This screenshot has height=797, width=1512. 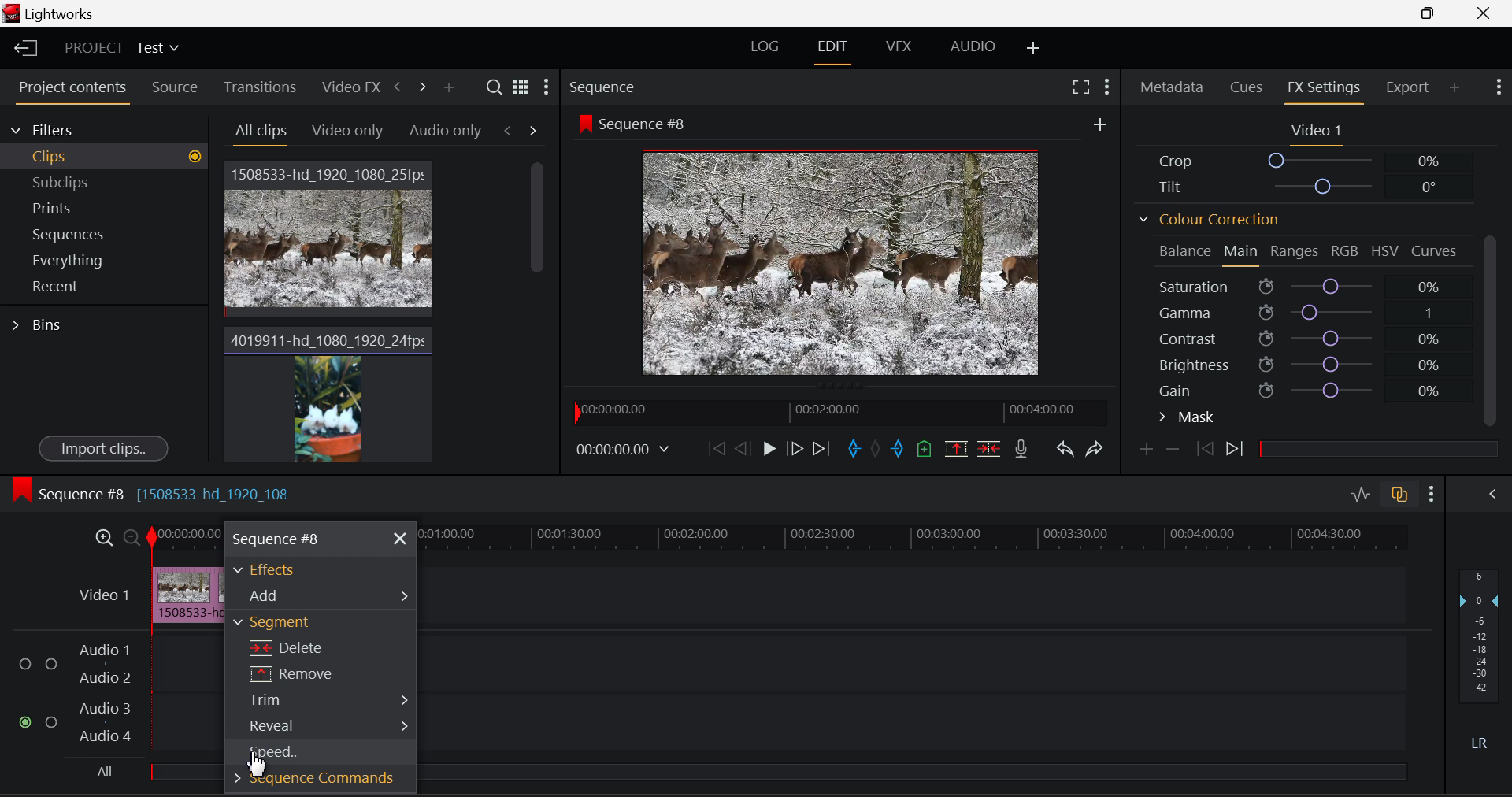 What do you see at coordinates (1080, 89) in the screenshot?
I see `Full Screen` at bounding box center [1080, 89].